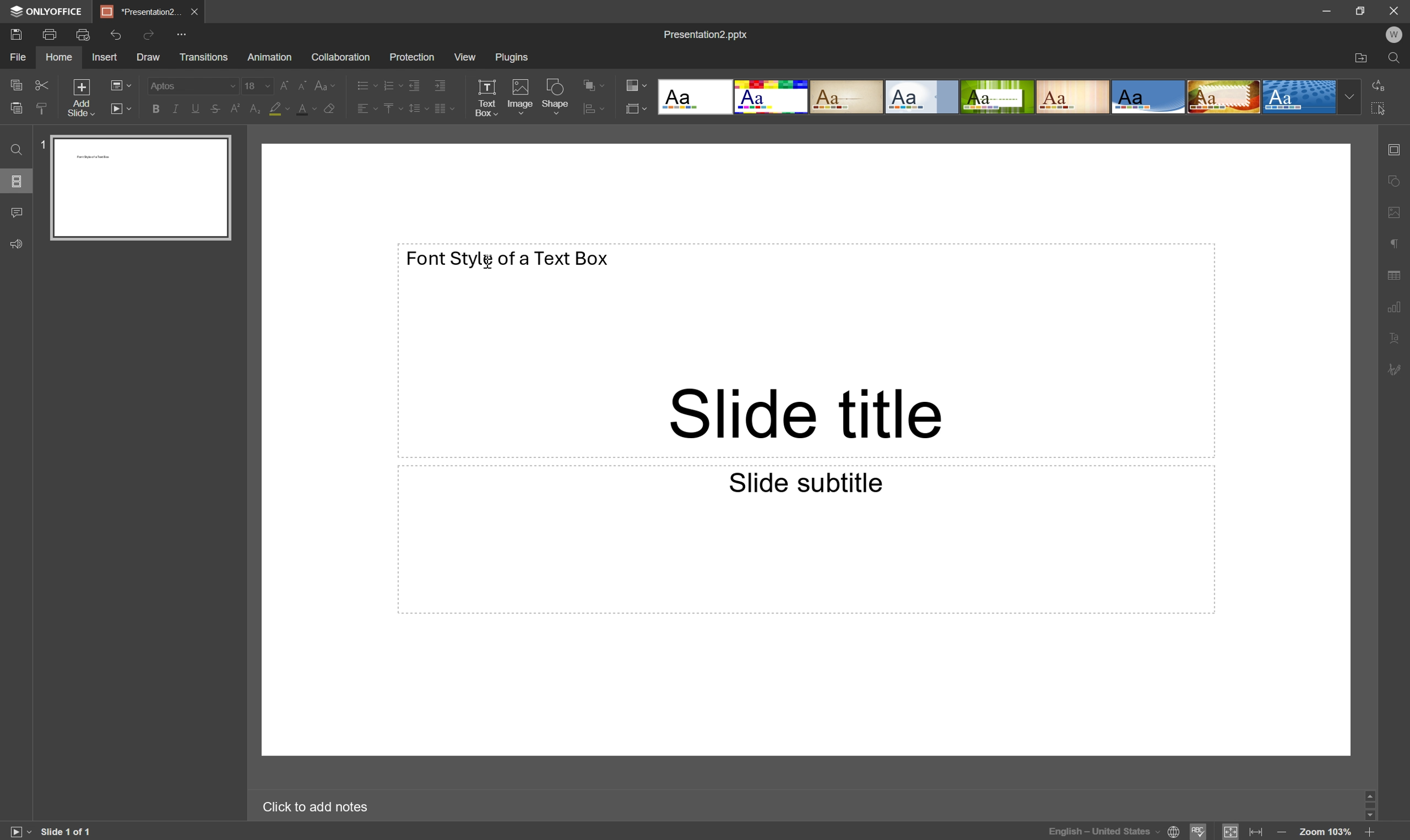 The width and height of the screenshot is (1410, 840). I want to click on Increase indent, so click(442, 84).